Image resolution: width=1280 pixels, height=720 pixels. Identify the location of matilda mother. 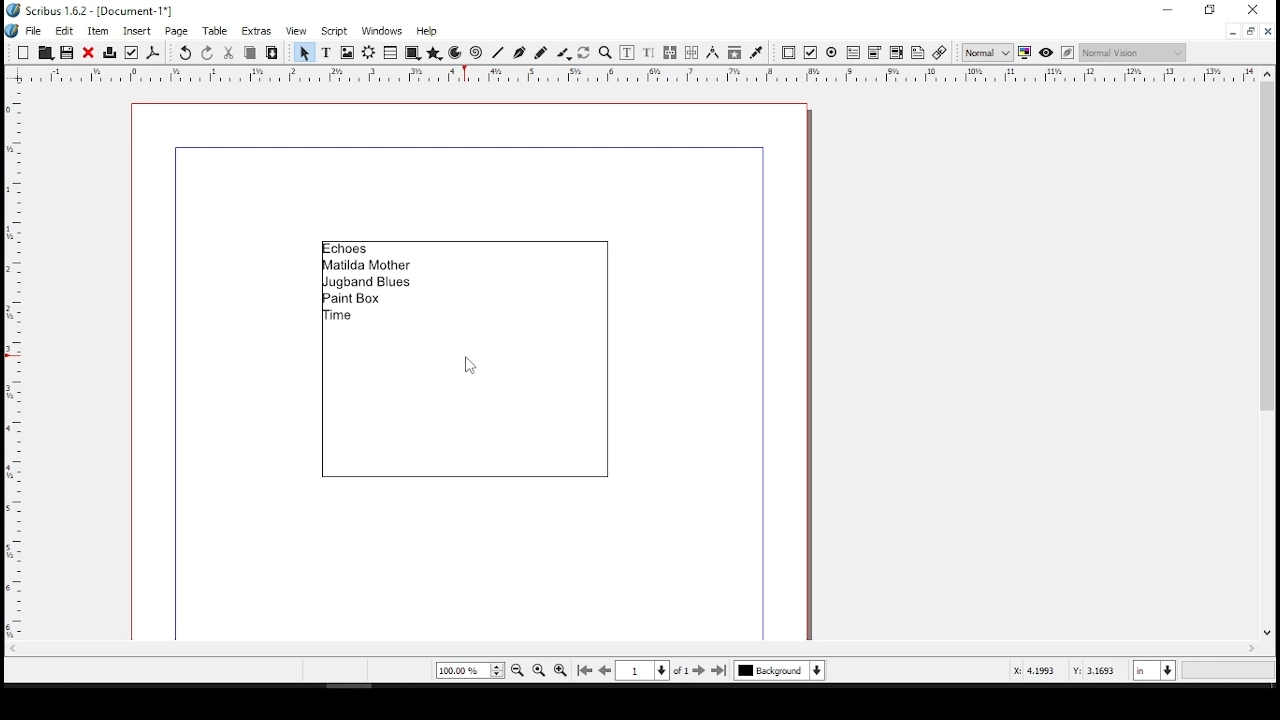
(367, 266).